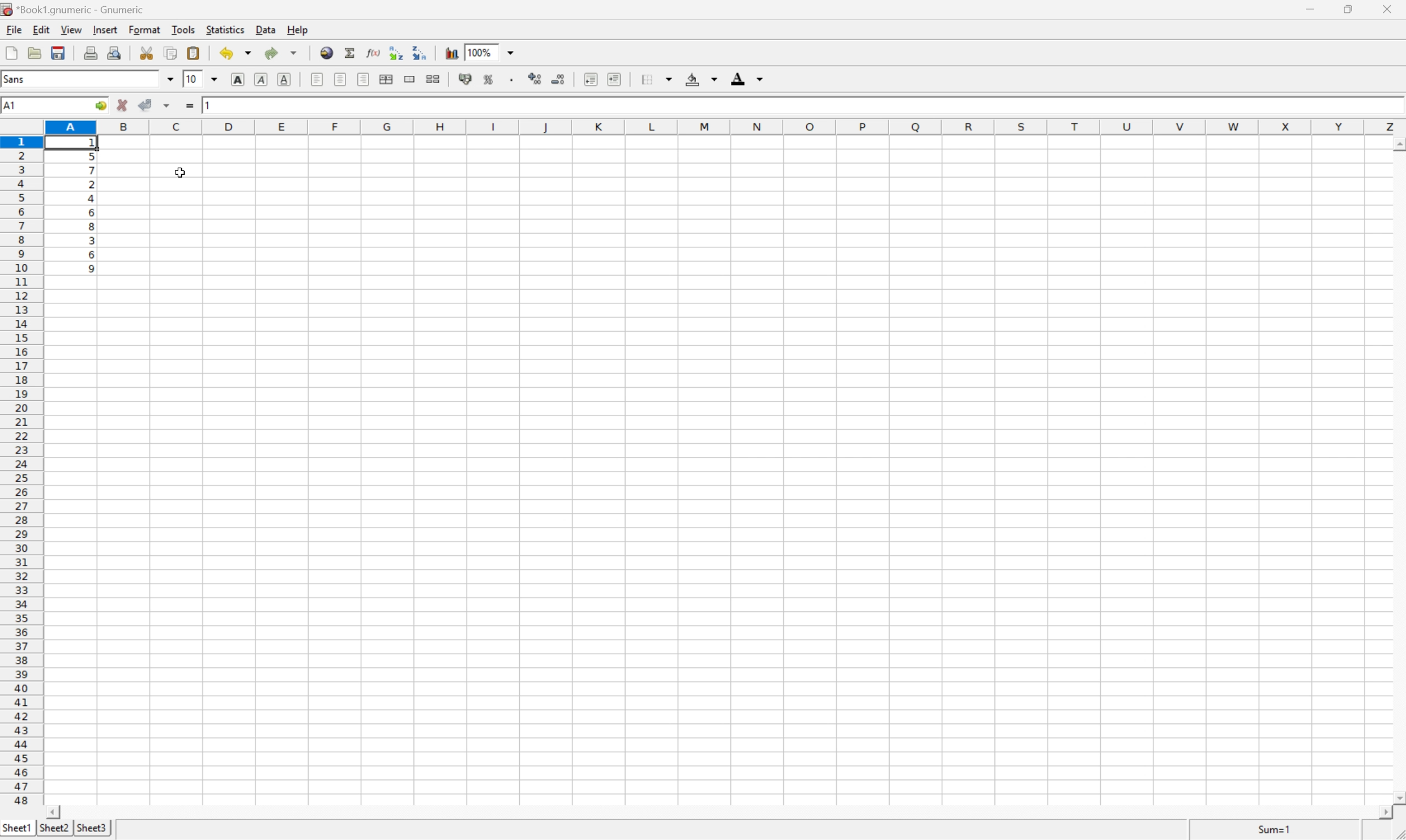 This screenshot has width=1406, height=840. I want to click on help, so click(298, 30).